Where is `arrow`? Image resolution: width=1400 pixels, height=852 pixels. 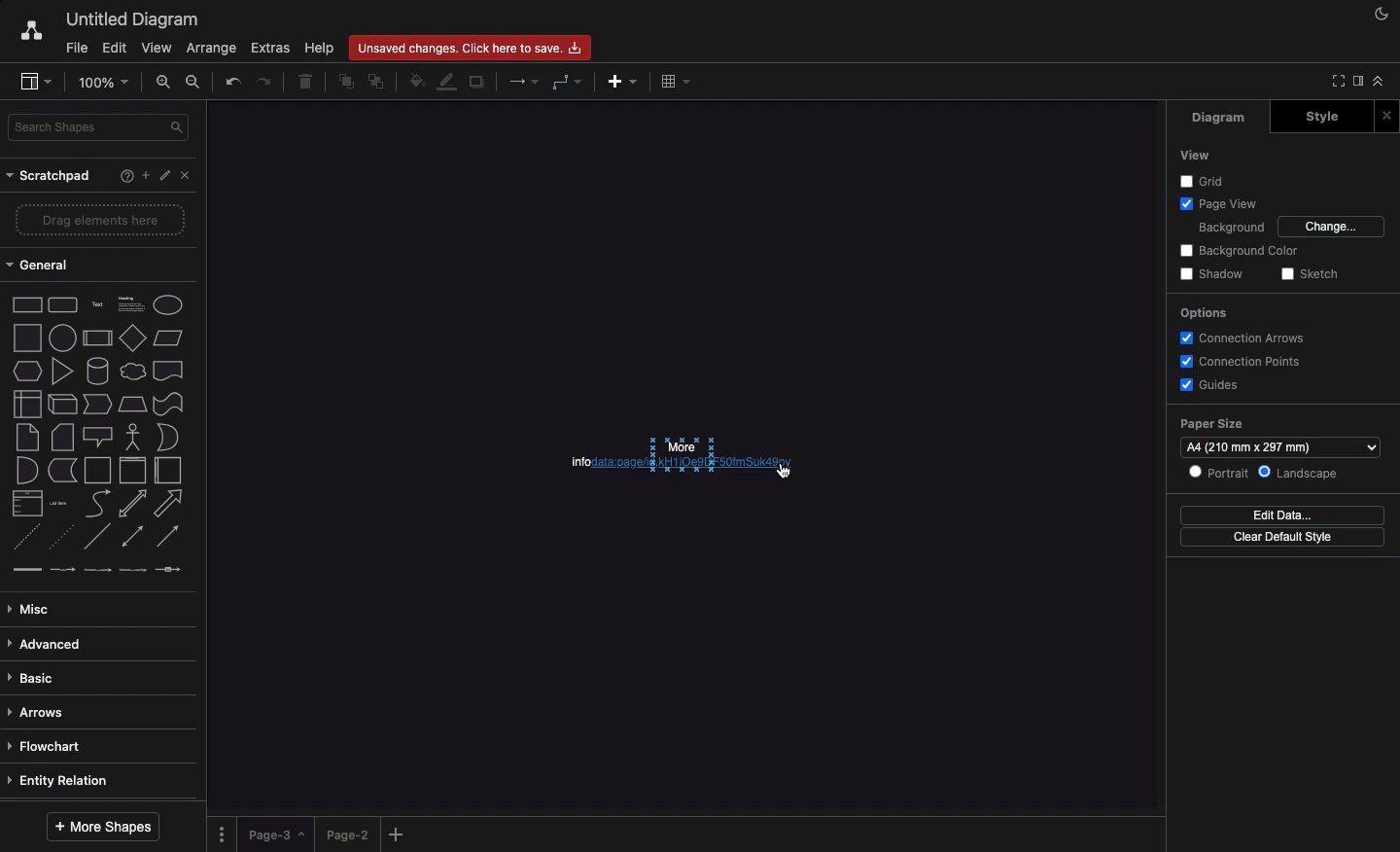
arrow is located at coordinates (169, 504).